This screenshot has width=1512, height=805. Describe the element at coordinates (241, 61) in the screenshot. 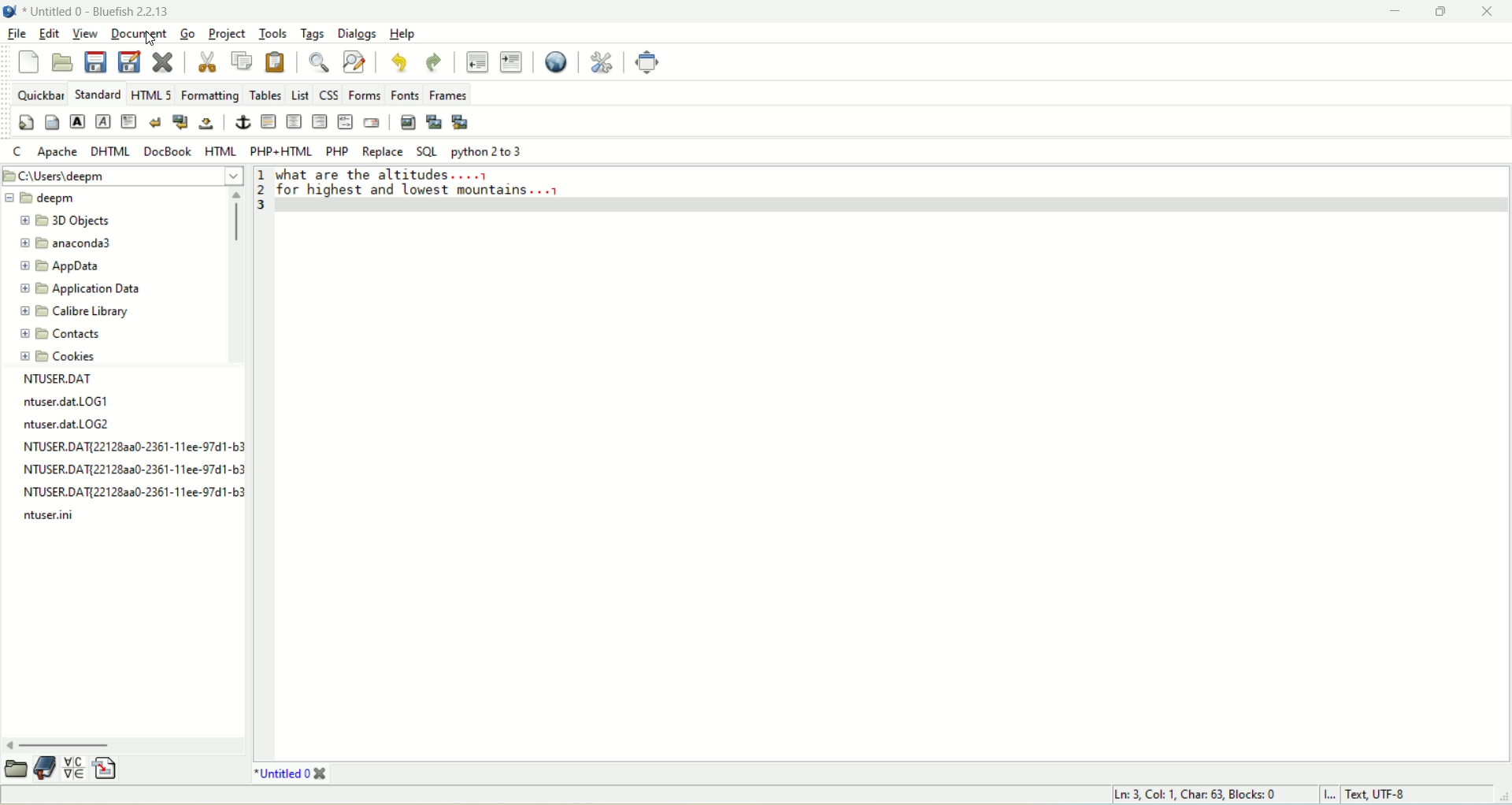

I see `copy` at that location.